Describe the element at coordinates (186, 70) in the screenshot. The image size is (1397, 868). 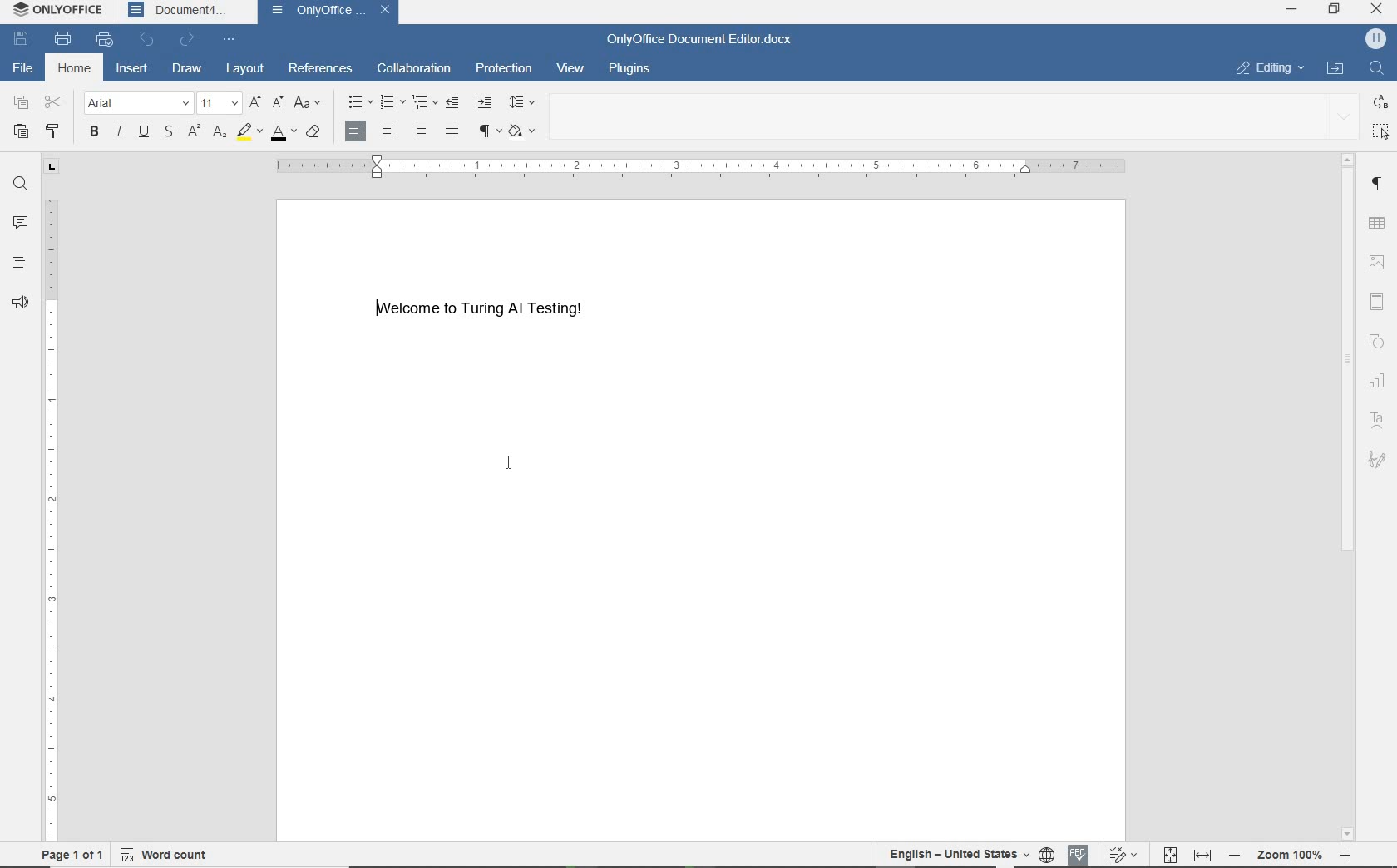
I see `draw` at that location.